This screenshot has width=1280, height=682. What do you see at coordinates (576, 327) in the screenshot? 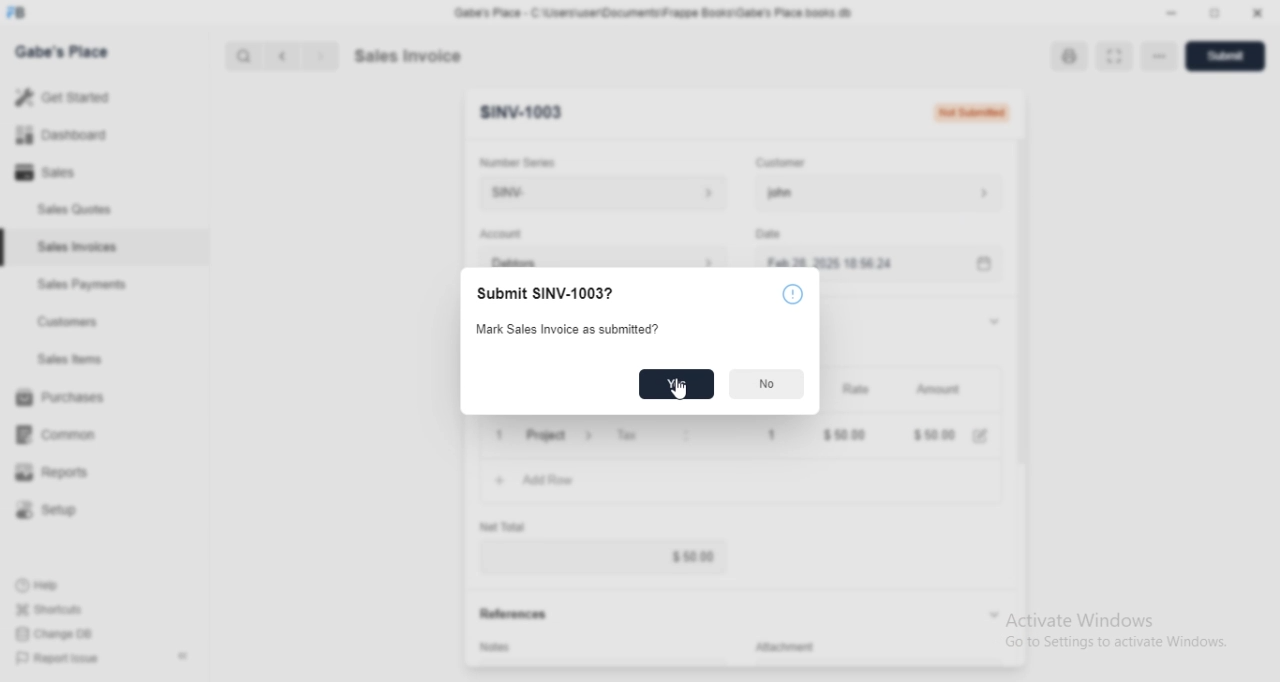
I see `Mark Sales Invoice as submitted?` at bounding box center [576, 327].